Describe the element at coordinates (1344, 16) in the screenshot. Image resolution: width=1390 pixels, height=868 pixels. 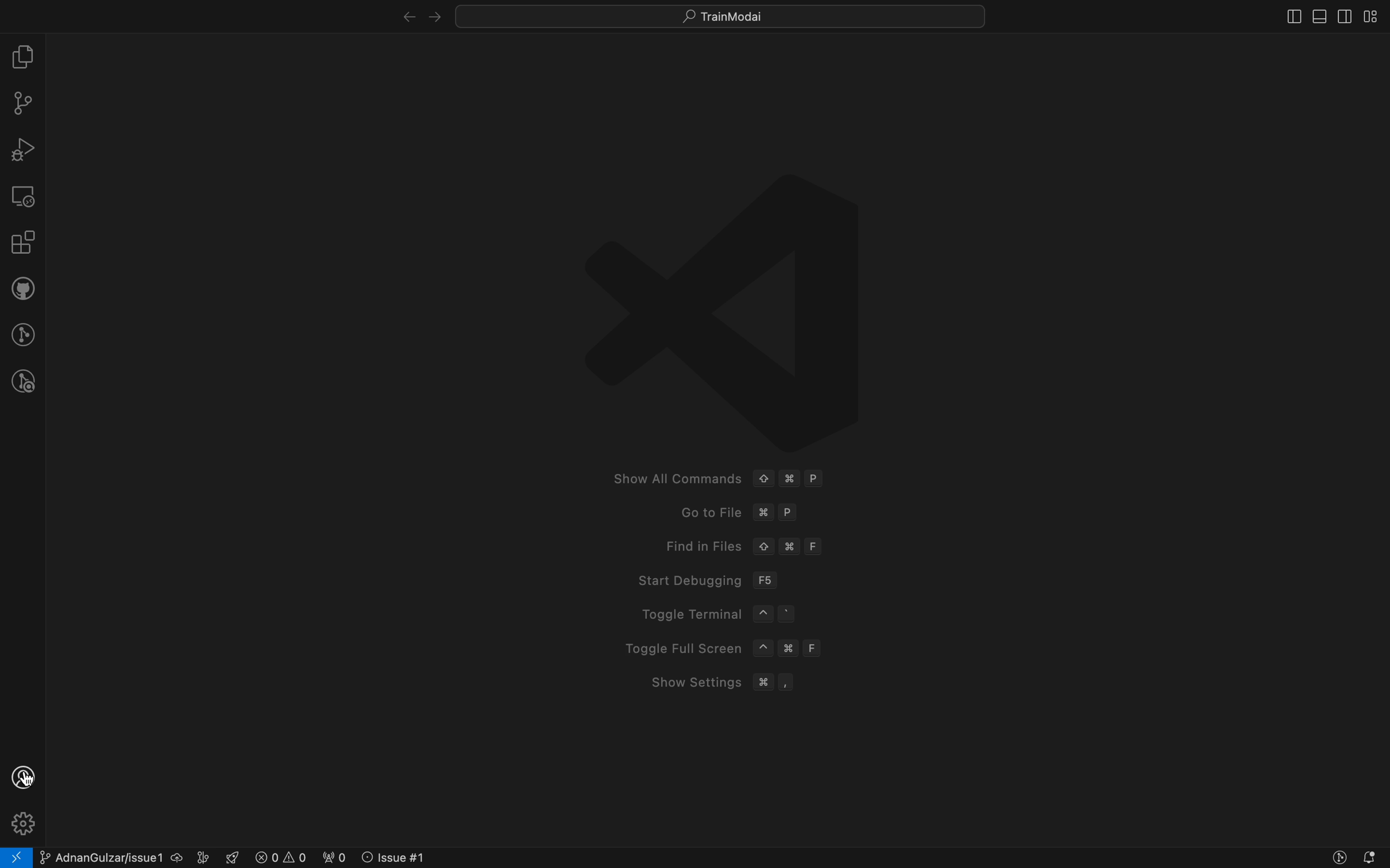
I see `toggle secondary bar` at that location.